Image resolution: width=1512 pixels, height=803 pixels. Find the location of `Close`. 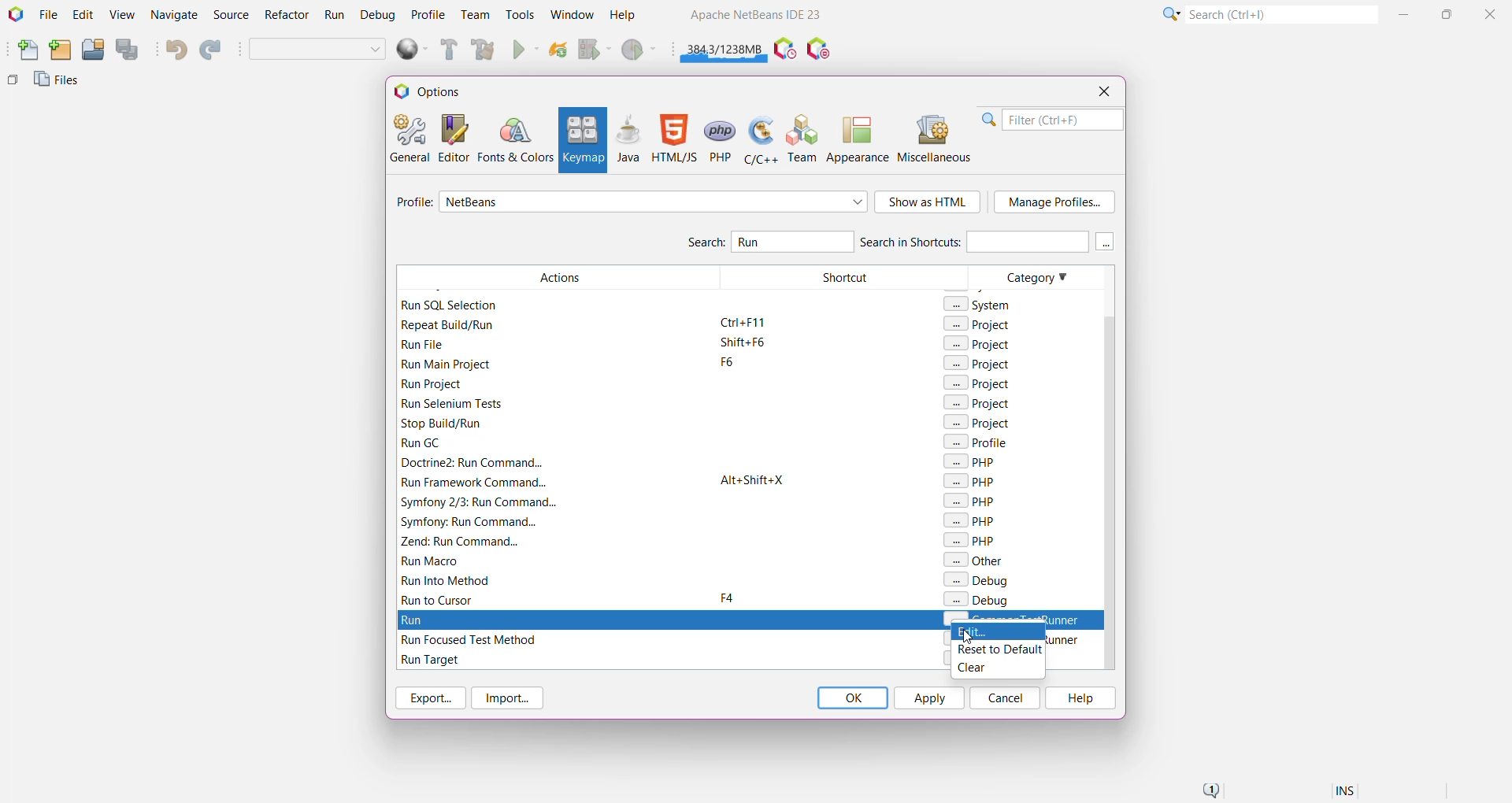

Close is located at coordinates (1103, 91).